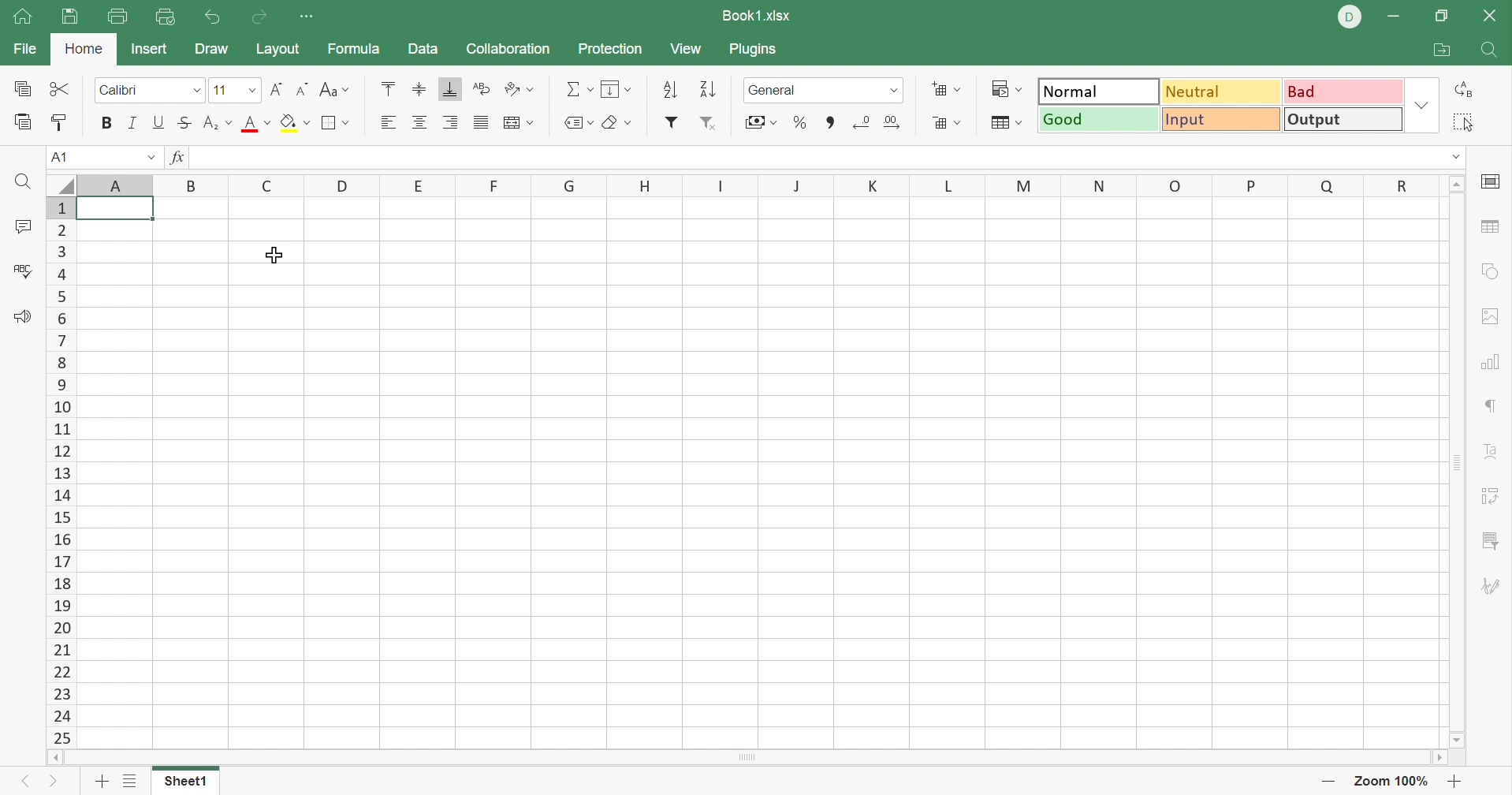  Describe the element at coordinates (386, 123) in the screenshot. I see `Align Left` at that location.